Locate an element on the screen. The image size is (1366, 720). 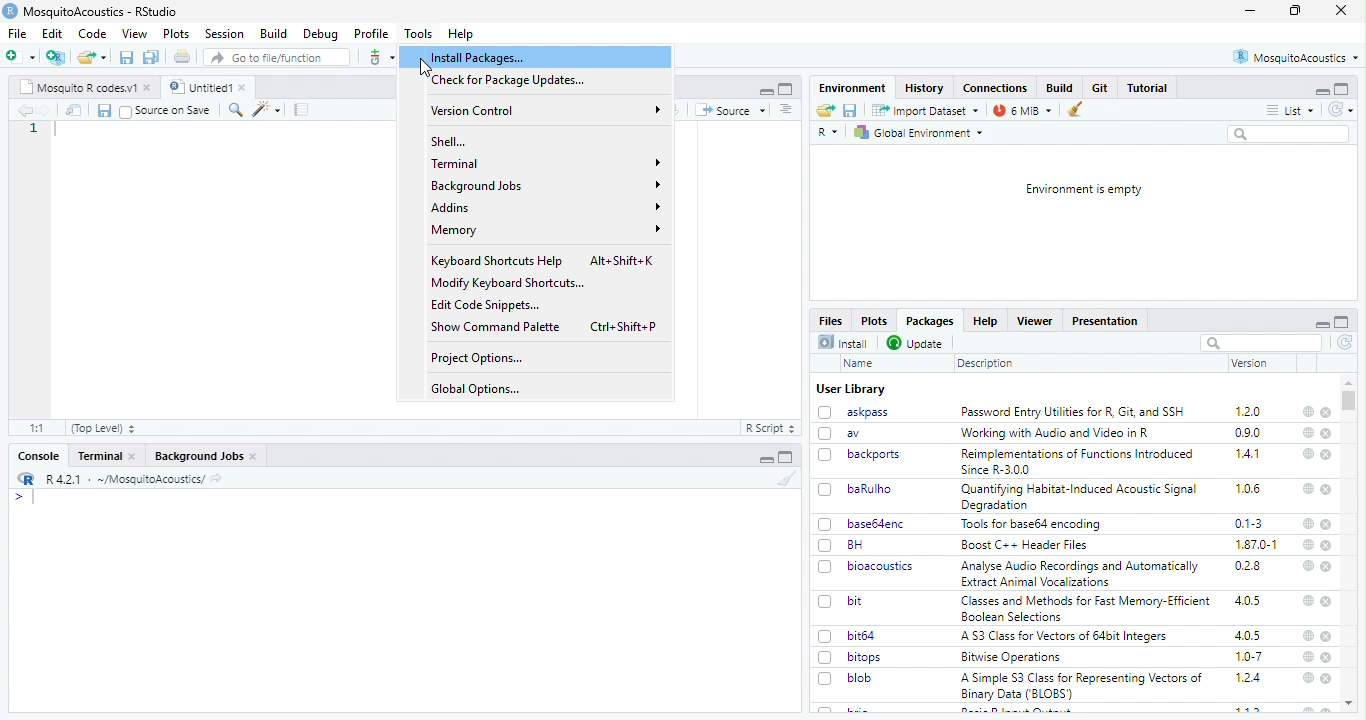
checkbox is located at coordinates (826, 546).